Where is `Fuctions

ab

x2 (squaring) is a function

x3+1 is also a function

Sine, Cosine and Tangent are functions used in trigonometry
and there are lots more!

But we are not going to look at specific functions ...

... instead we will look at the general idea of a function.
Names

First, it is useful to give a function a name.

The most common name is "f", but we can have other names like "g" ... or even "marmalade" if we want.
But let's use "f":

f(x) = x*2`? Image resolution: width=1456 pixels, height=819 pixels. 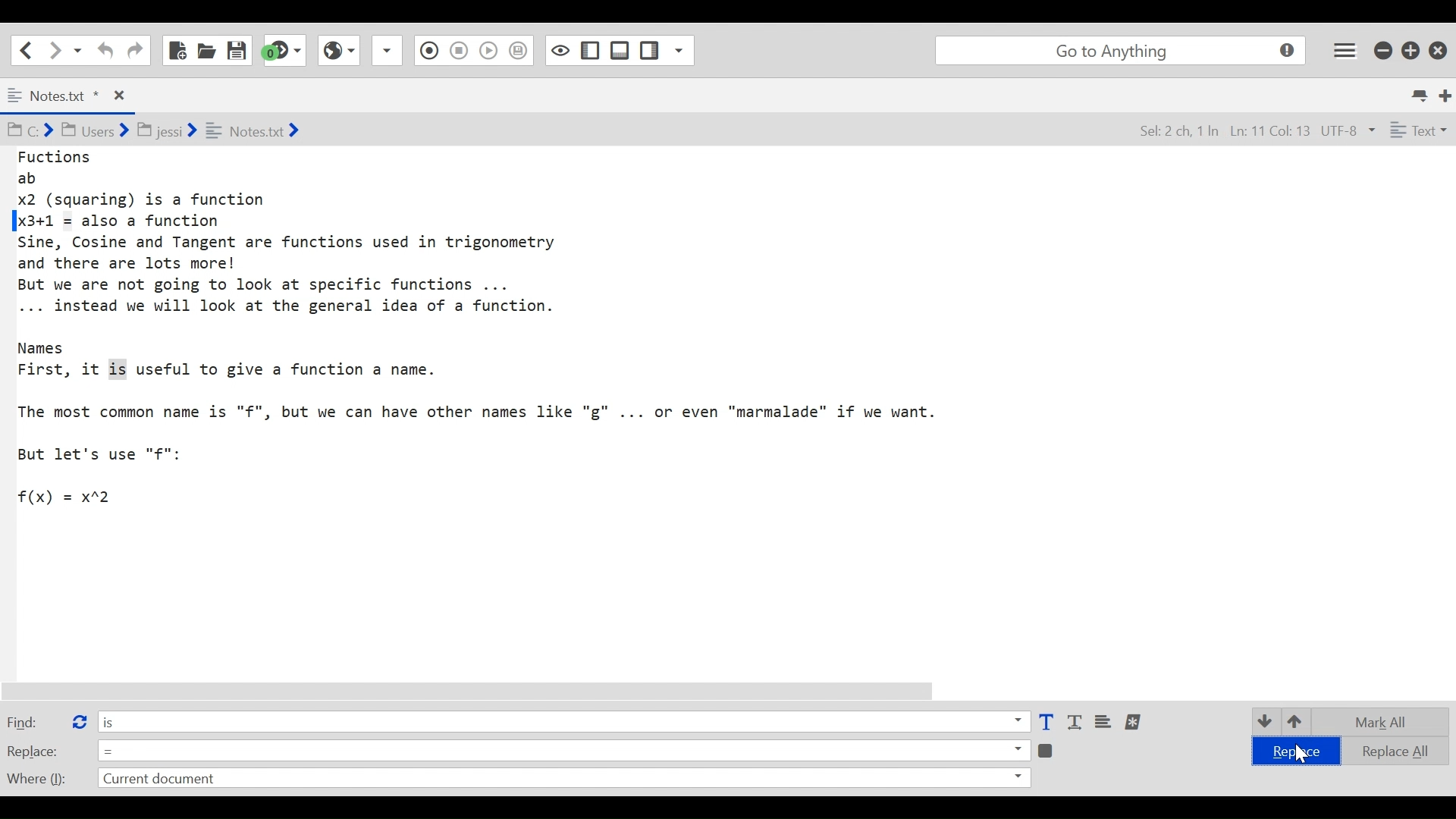
Fuctions

ab

x2 (squaring) is a function

x3+1 is also a function

Sine, Cosine and Tangent are functions used in trigonometry
and there are lots more!

But we are not going to look at specific functions ...

... instead we will look at the general idea of a function.
Names

First, it is useful to give a function a name.

The most common name is "f", but we can have other names like "g" ... or even "marmalade" if we want.
But let's use "f":

f(x) = x*2 is located at coordinates (487, 336).